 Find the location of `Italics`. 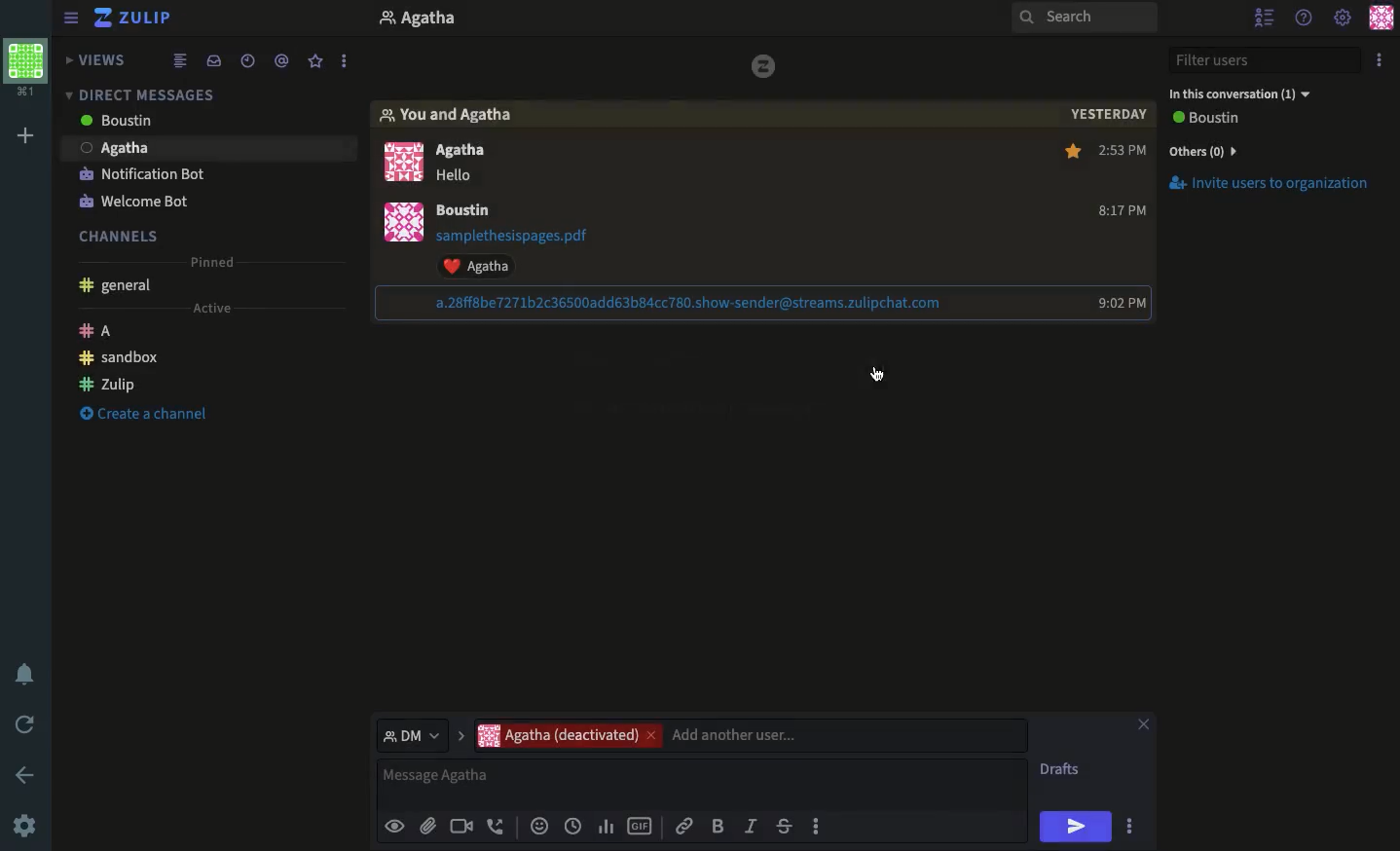

Italics is located at coordinates (751, 825).